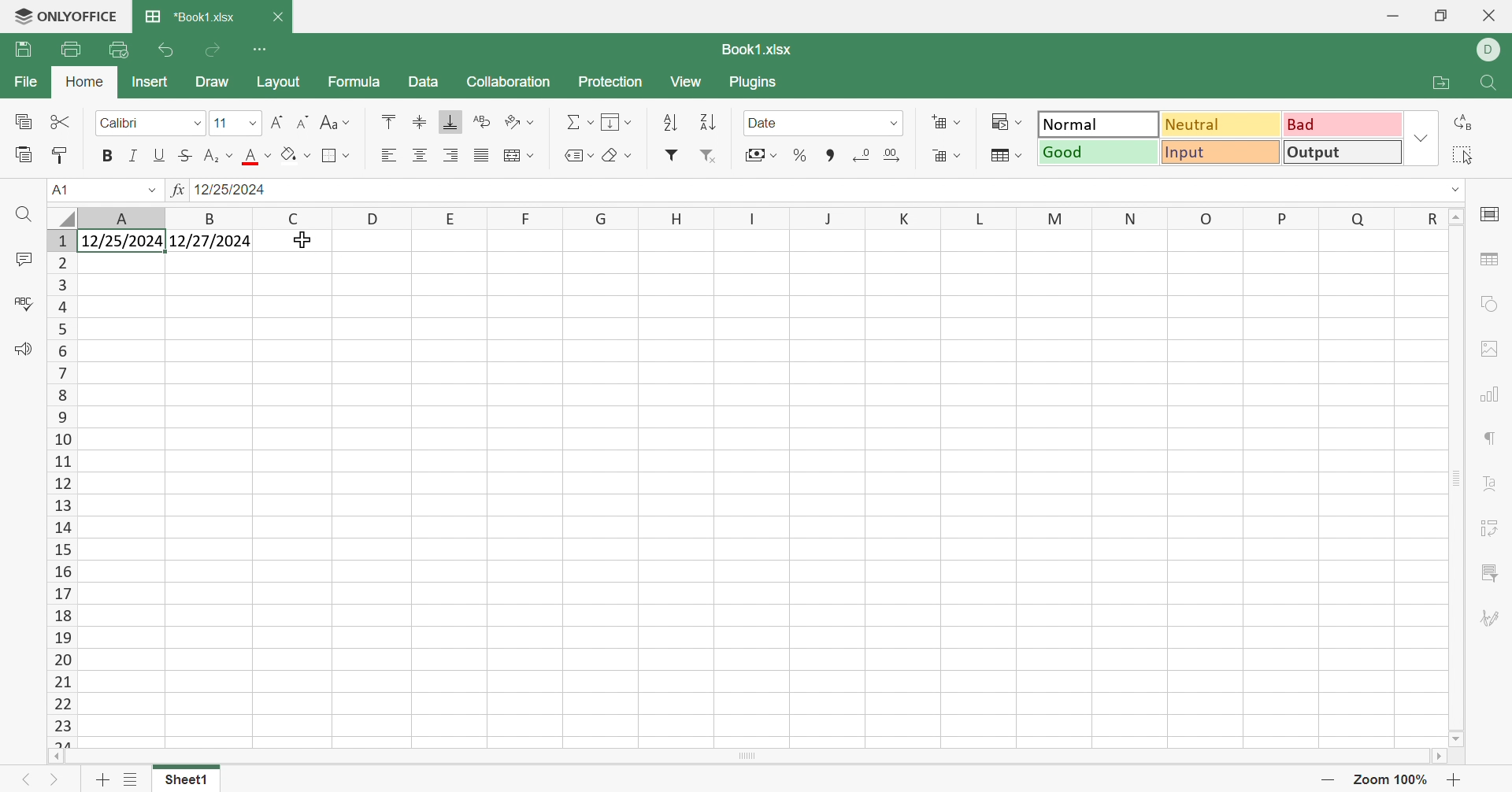 The image size is (1512, 792). What do you see at coordinates (219, 155) in the screenshot?
I see `Superscript / Subscript` at bounding box center [219, 155].